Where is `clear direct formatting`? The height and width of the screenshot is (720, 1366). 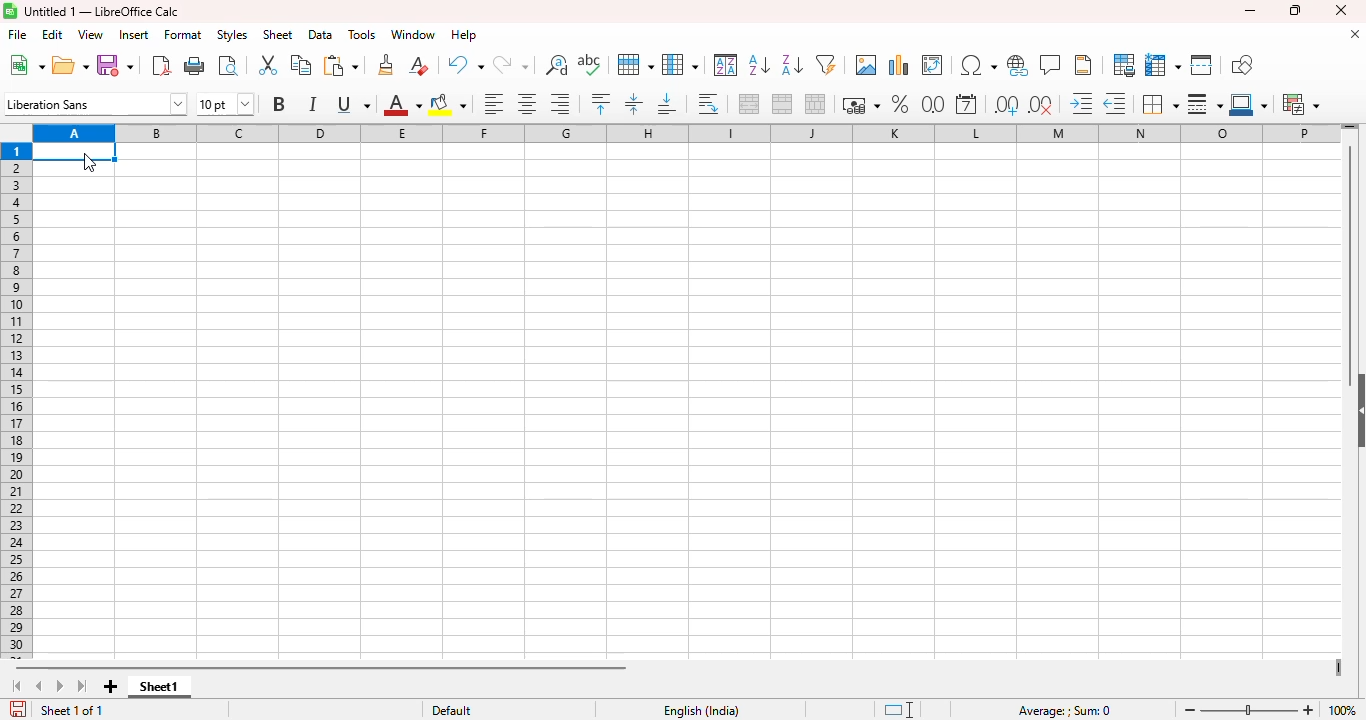 clear direct formatting is located at coordinates (419, 64).